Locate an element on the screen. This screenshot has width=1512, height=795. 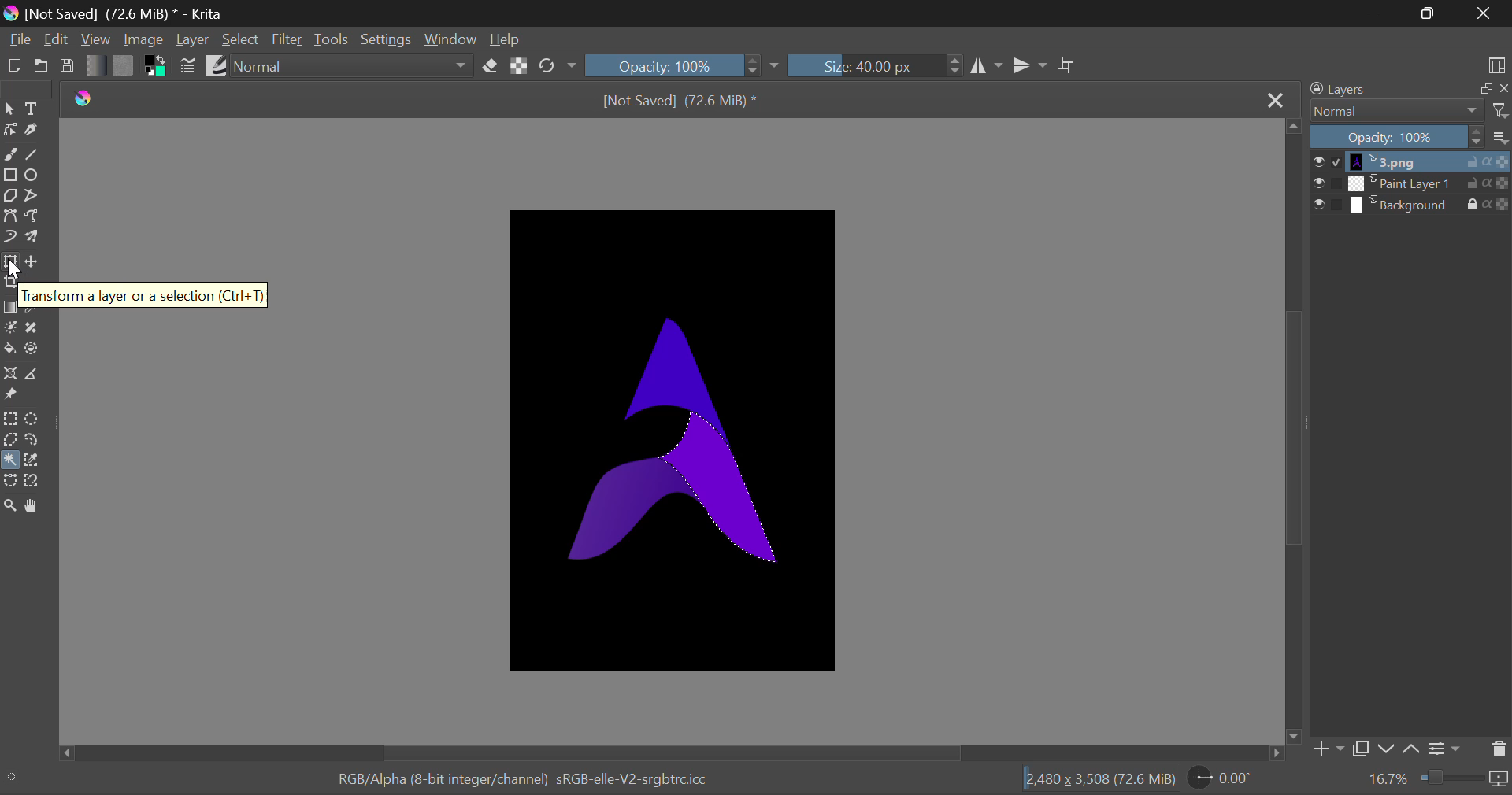
Save is located at coordinates (68, 65).